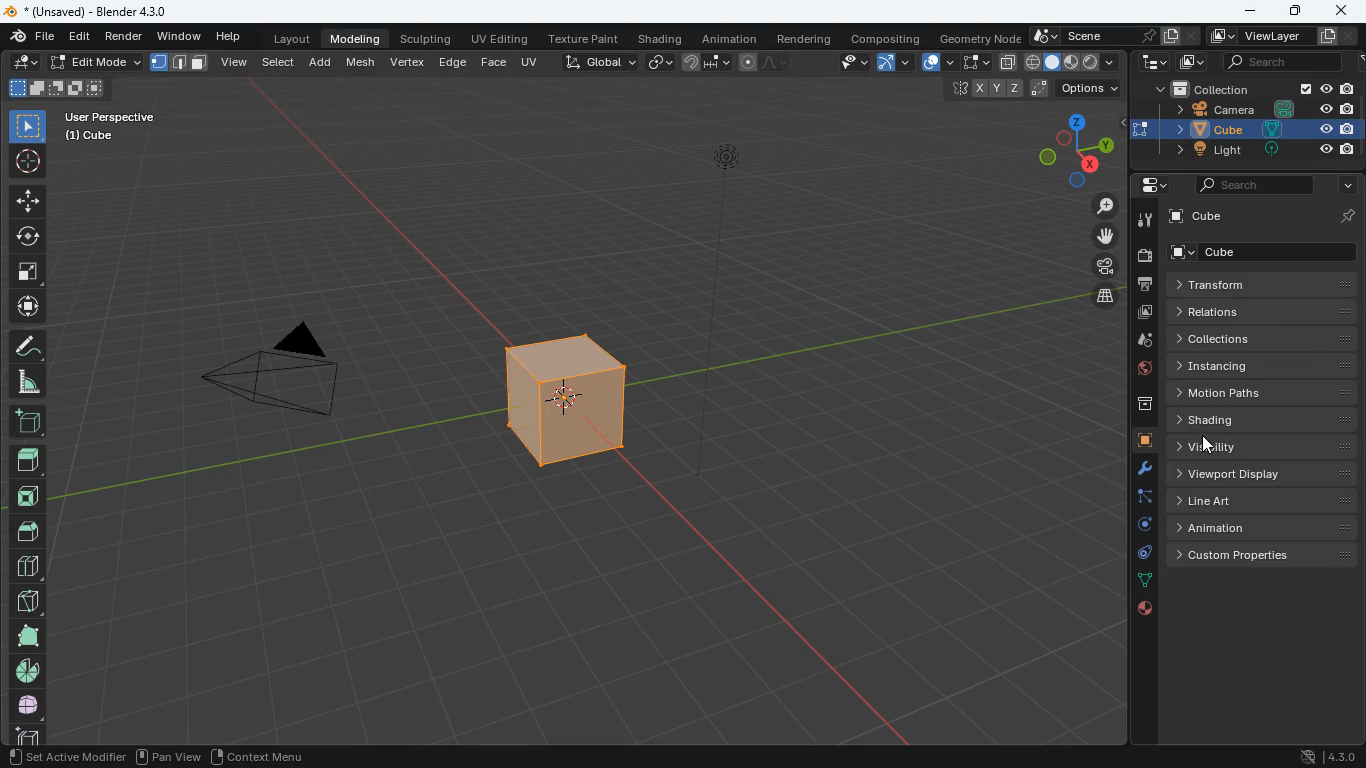 This screenshot has width=1366, height=768. What do you see at coordinates (1263, 474) in the screenshot?
I see `viewport display` at bounding box center [1263, 474].